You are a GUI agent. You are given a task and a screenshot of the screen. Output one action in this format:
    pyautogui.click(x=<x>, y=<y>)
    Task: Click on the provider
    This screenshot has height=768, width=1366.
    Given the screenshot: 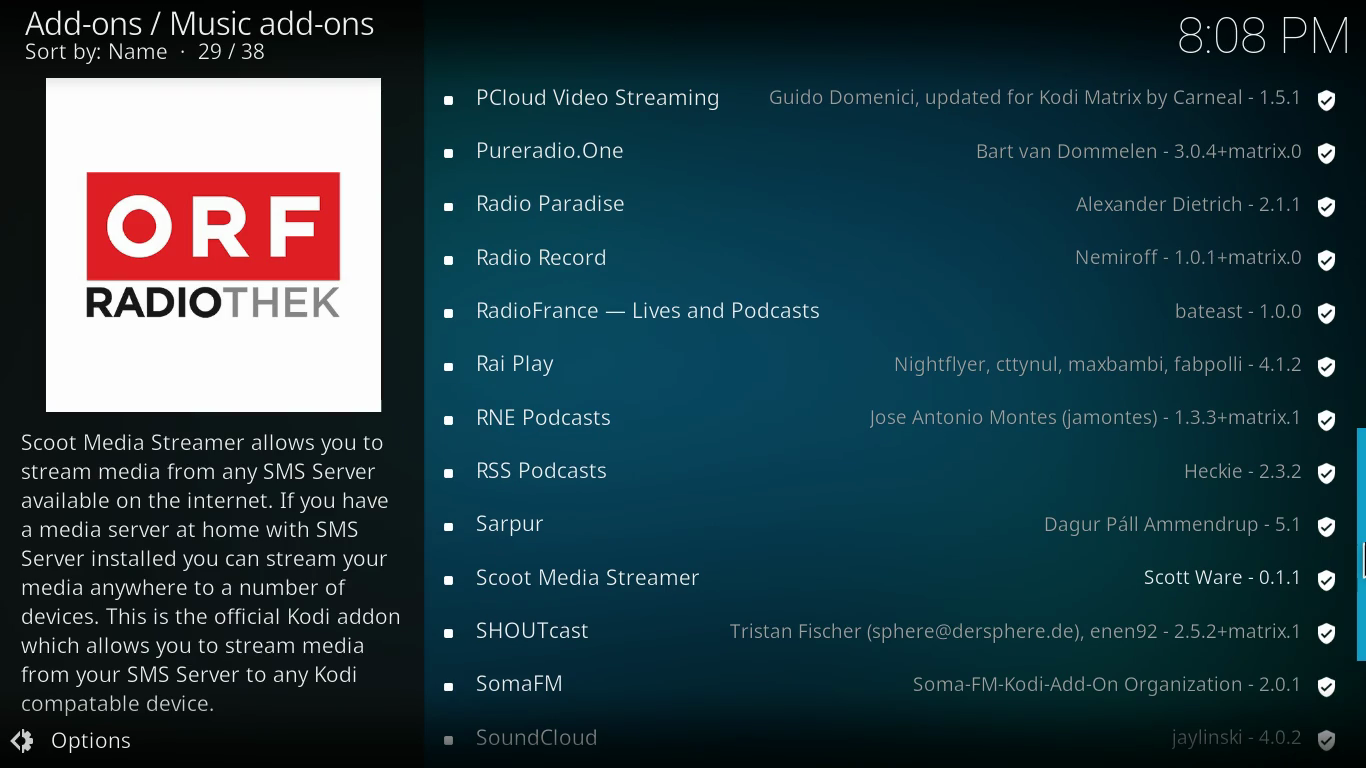 What is the action you would take?
    pyautogui.click(x=1258, y=314)
    